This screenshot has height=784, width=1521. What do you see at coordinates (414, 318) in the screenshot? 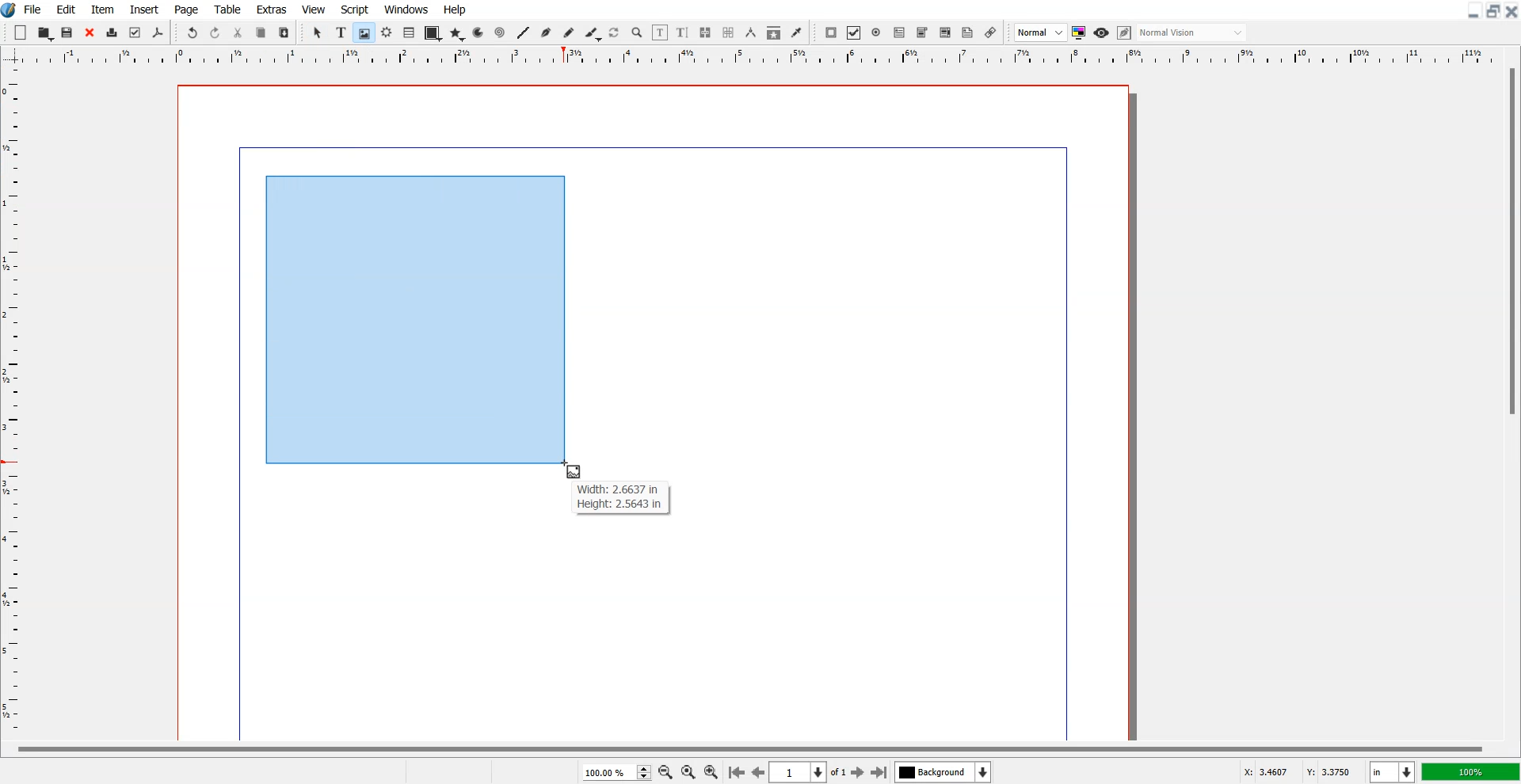
I see `Image Frame` at bounding box center [414, 318].